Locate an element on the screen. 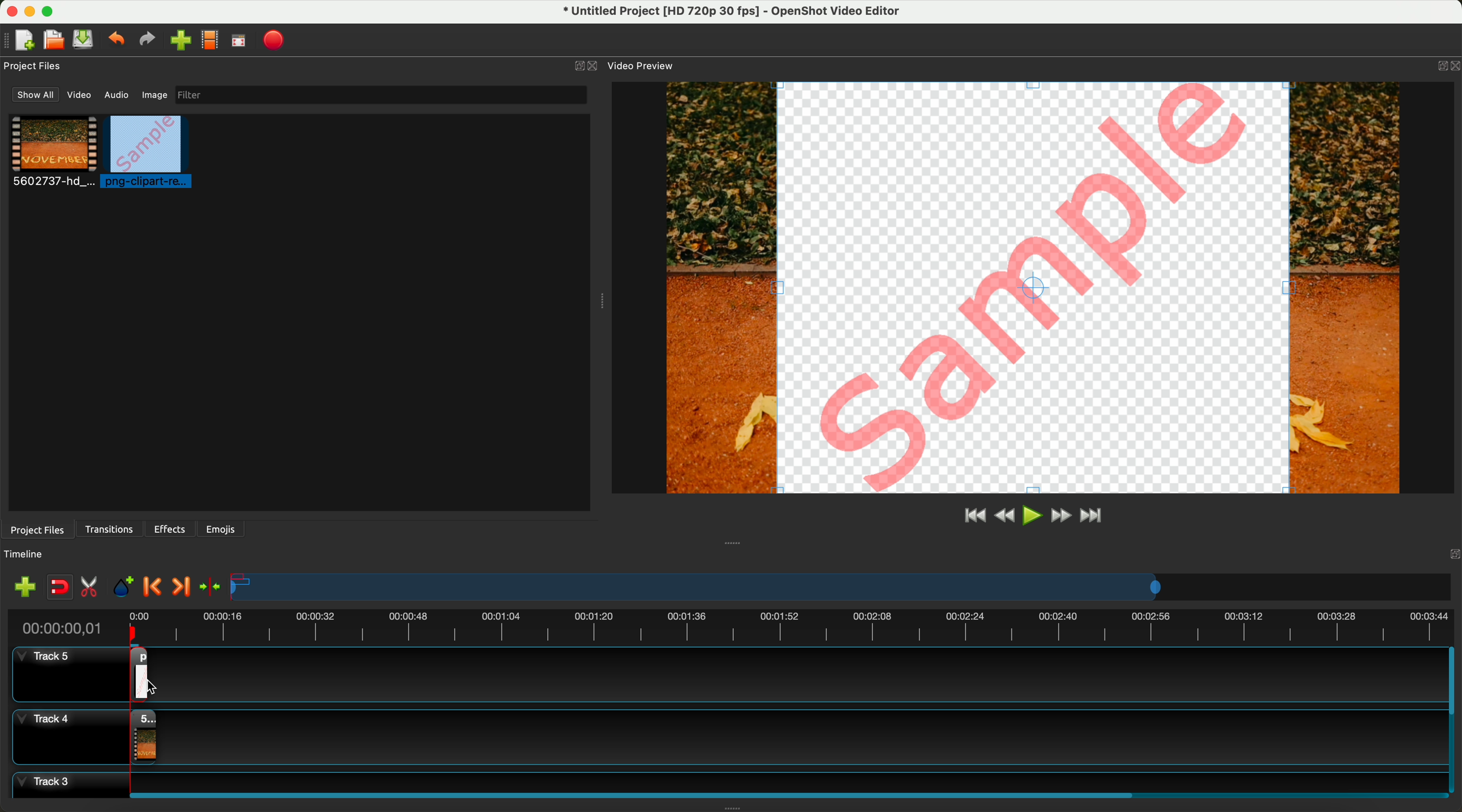 This screenshot has width=1462, height=812. maximize is located at coordinates (52, 10).